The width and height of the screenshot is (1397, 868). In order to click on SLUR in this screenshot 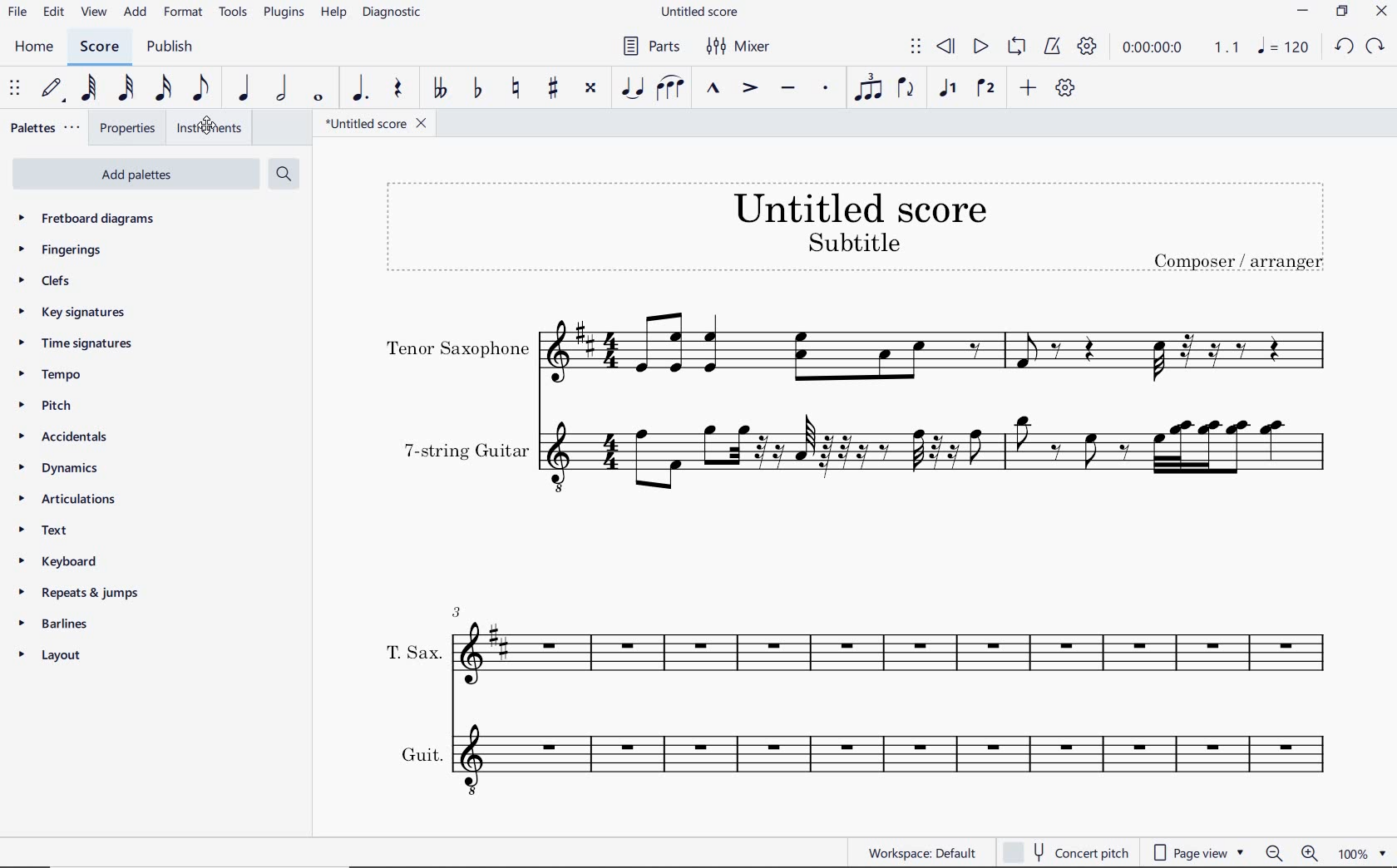, I will do `click(671, 89)`.